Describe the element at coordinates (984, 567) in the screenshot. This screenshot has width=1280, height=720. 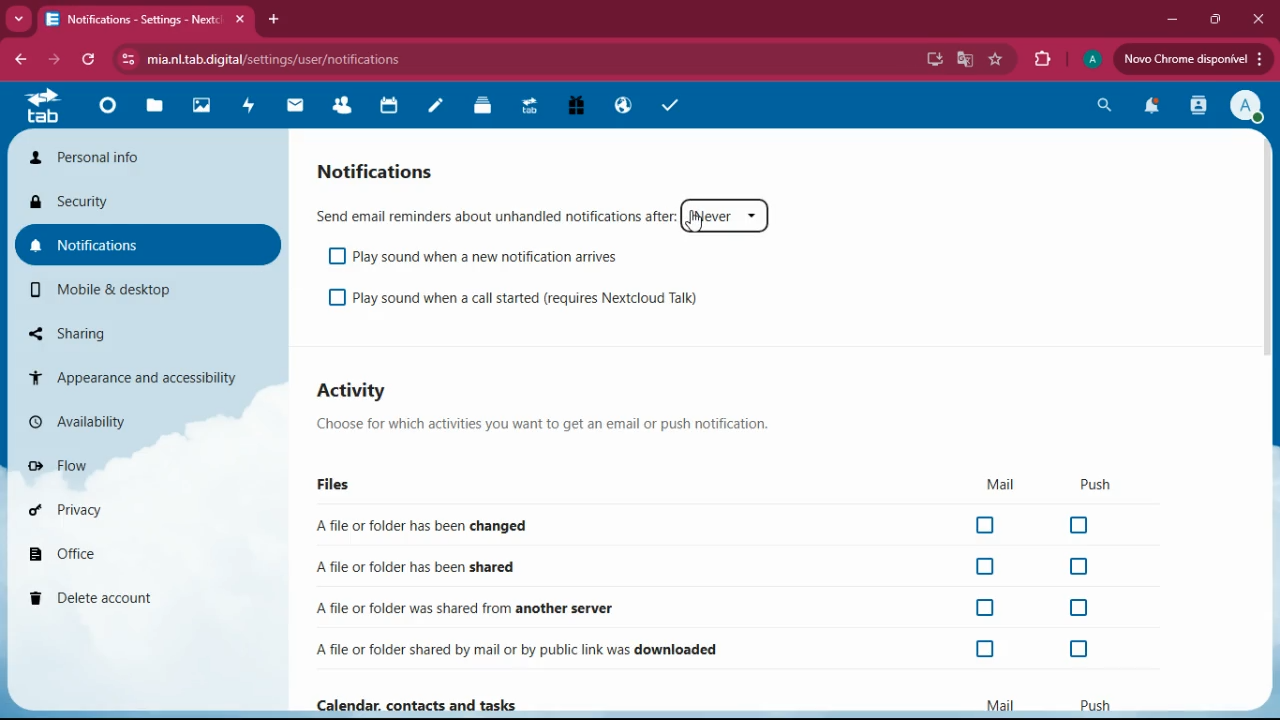
I see `off` at that location.